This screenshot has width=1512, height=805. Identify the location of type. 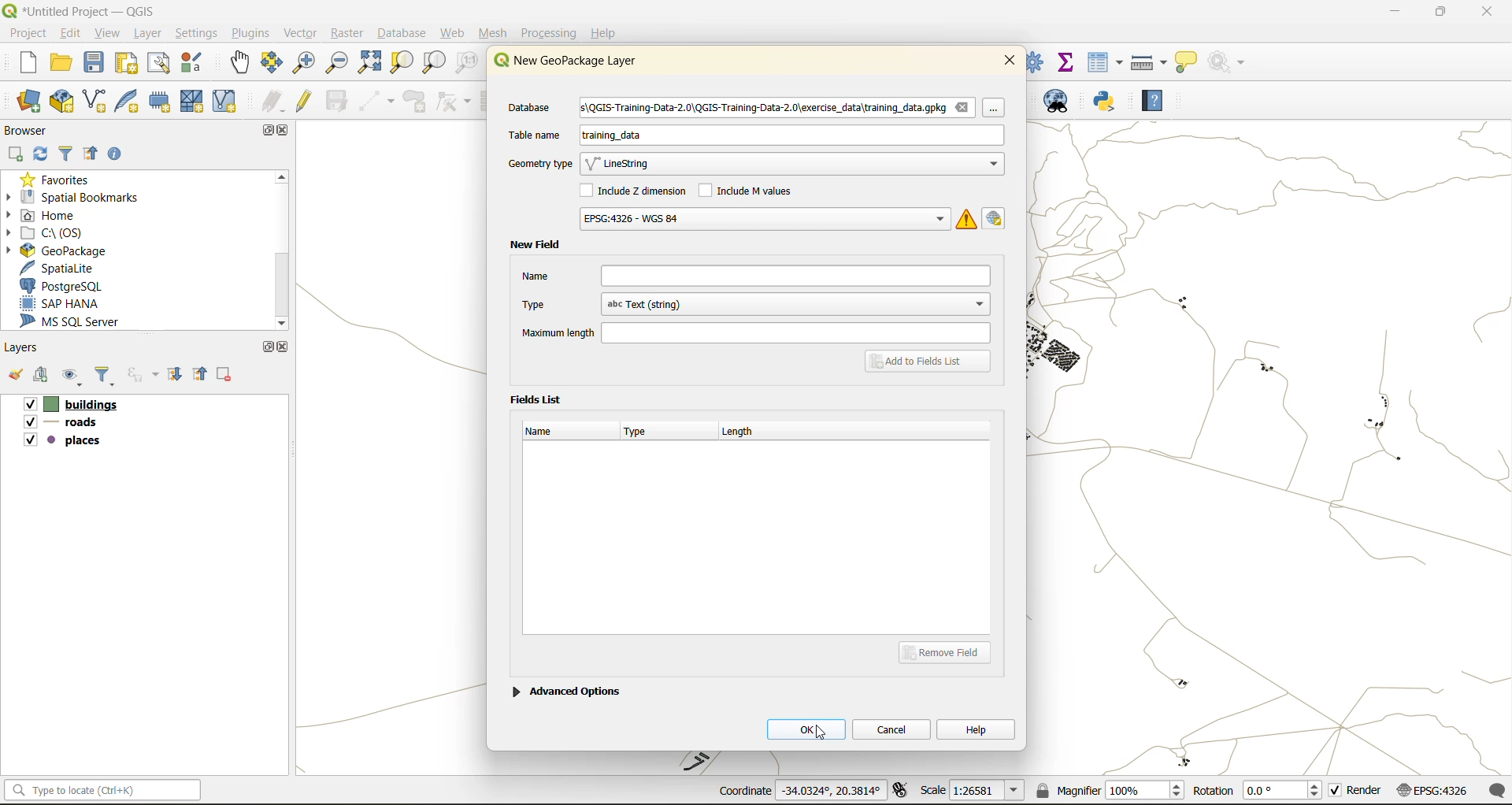
(643, 433).